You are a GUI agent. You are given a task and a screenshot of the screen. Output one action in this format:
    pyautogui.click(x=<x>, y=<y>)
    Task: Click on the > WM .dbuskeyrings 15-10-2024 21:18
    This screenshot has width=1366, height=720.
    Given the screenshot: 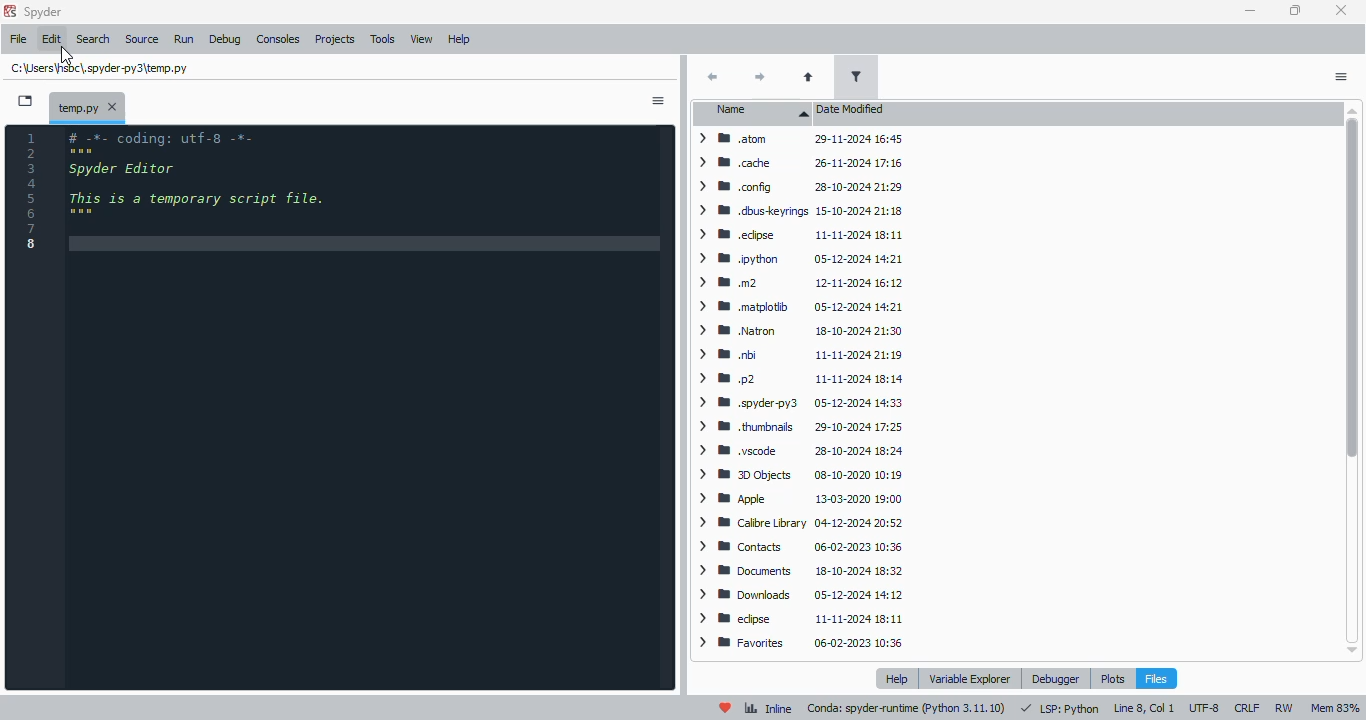 What is the action you would take?
    pyautogui.click(x=797, y=209)
    